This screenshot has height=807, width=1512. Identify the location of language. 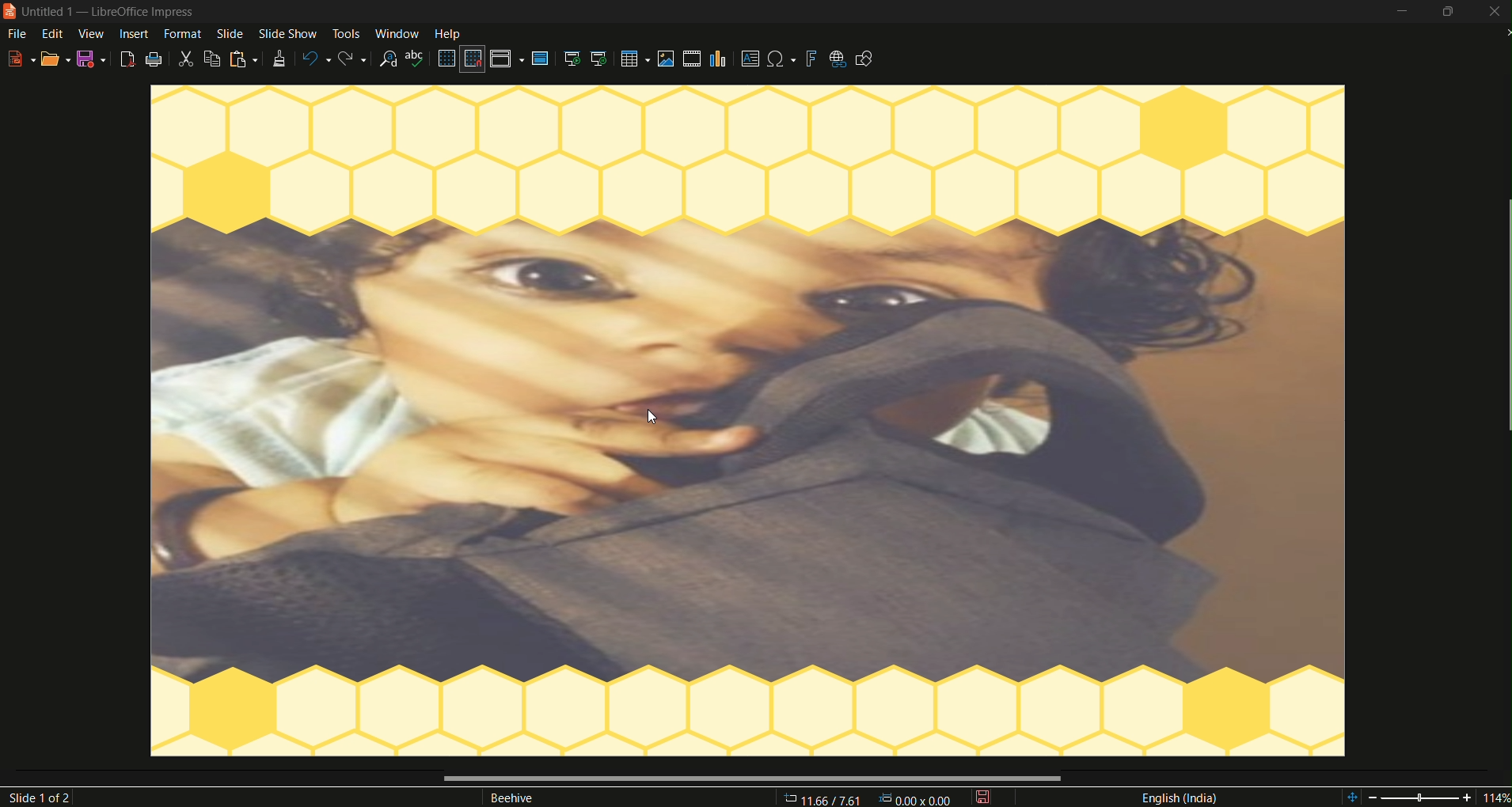
(1179, 798).